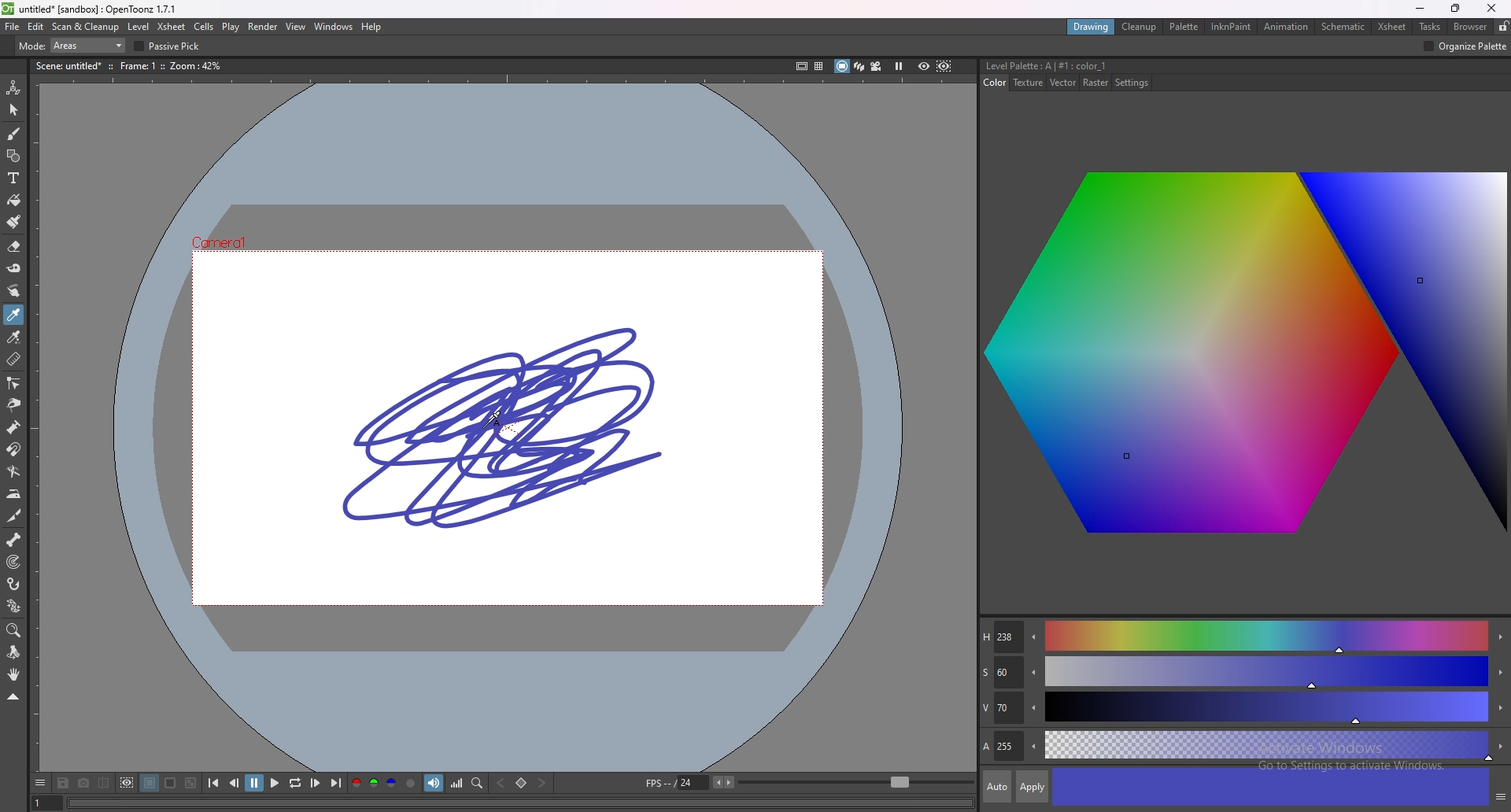  What do you see at coordinates (1249, 359) in the screenshot?
I see `color gradient` at bounding box center [1249, 359].